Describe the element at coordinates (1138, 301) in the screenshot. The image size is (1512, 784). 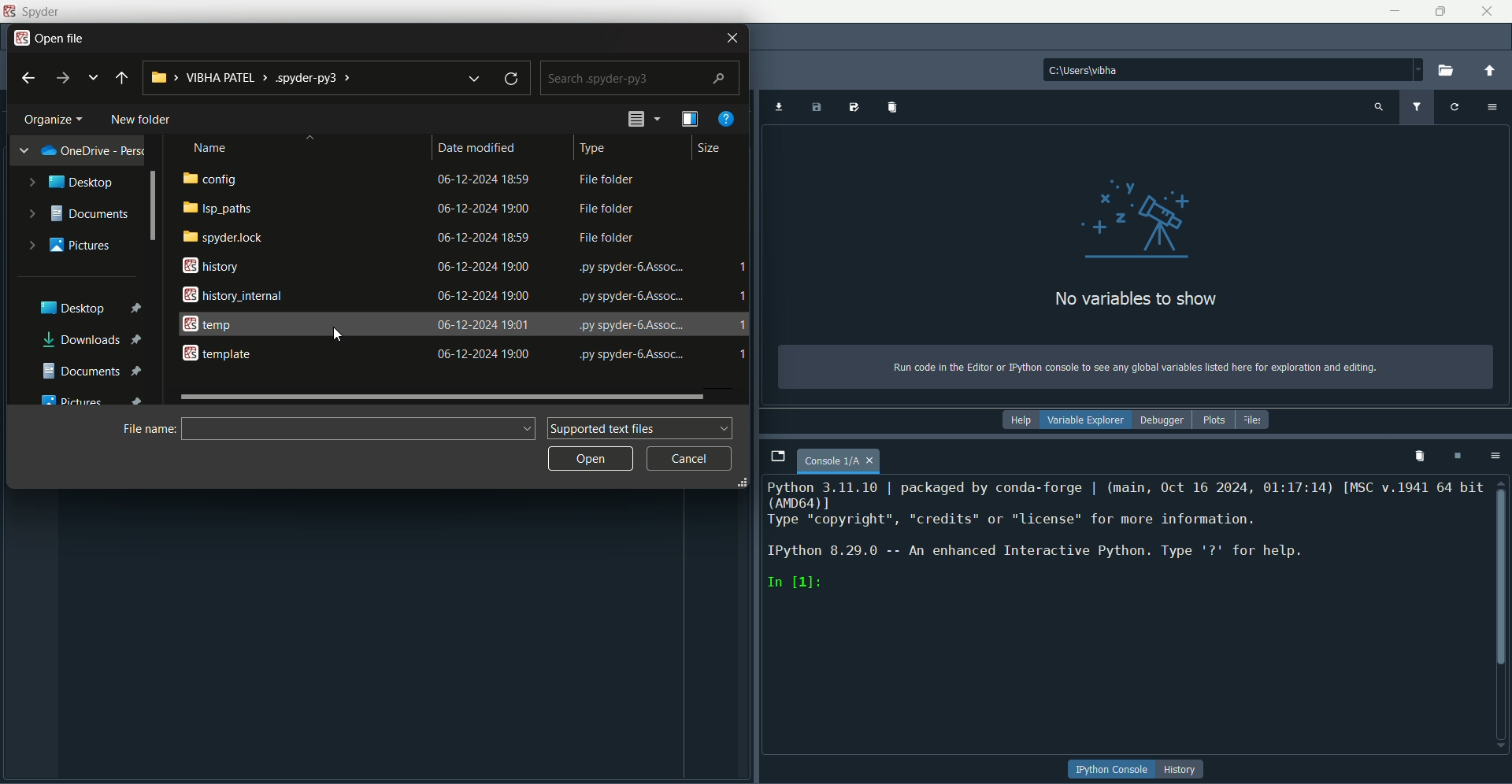
I see `text` at that location.